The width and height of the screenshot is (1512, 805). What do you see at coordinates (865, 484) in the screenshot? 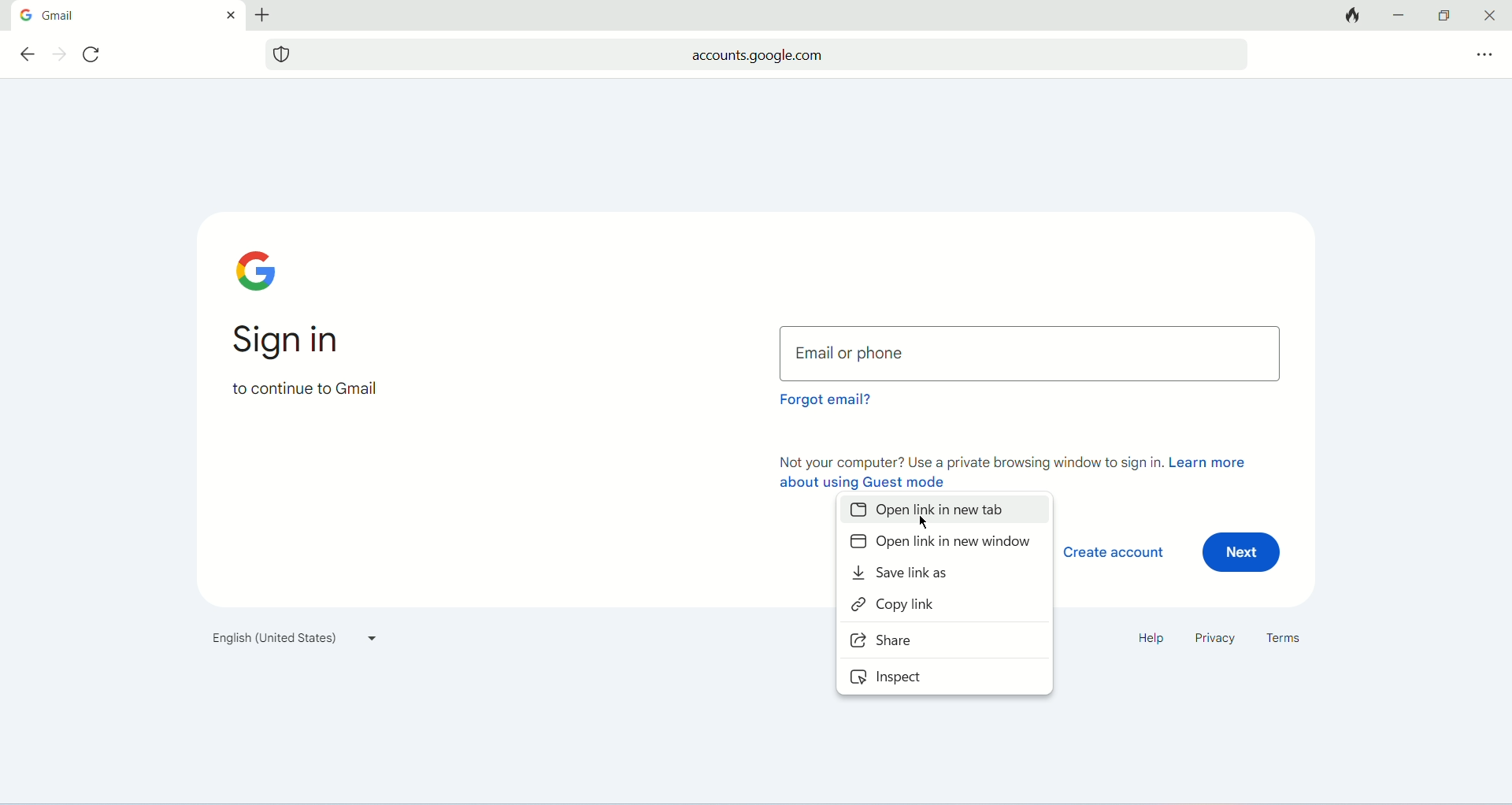
I see `about using guest mode` at bounding box center [865, 484].